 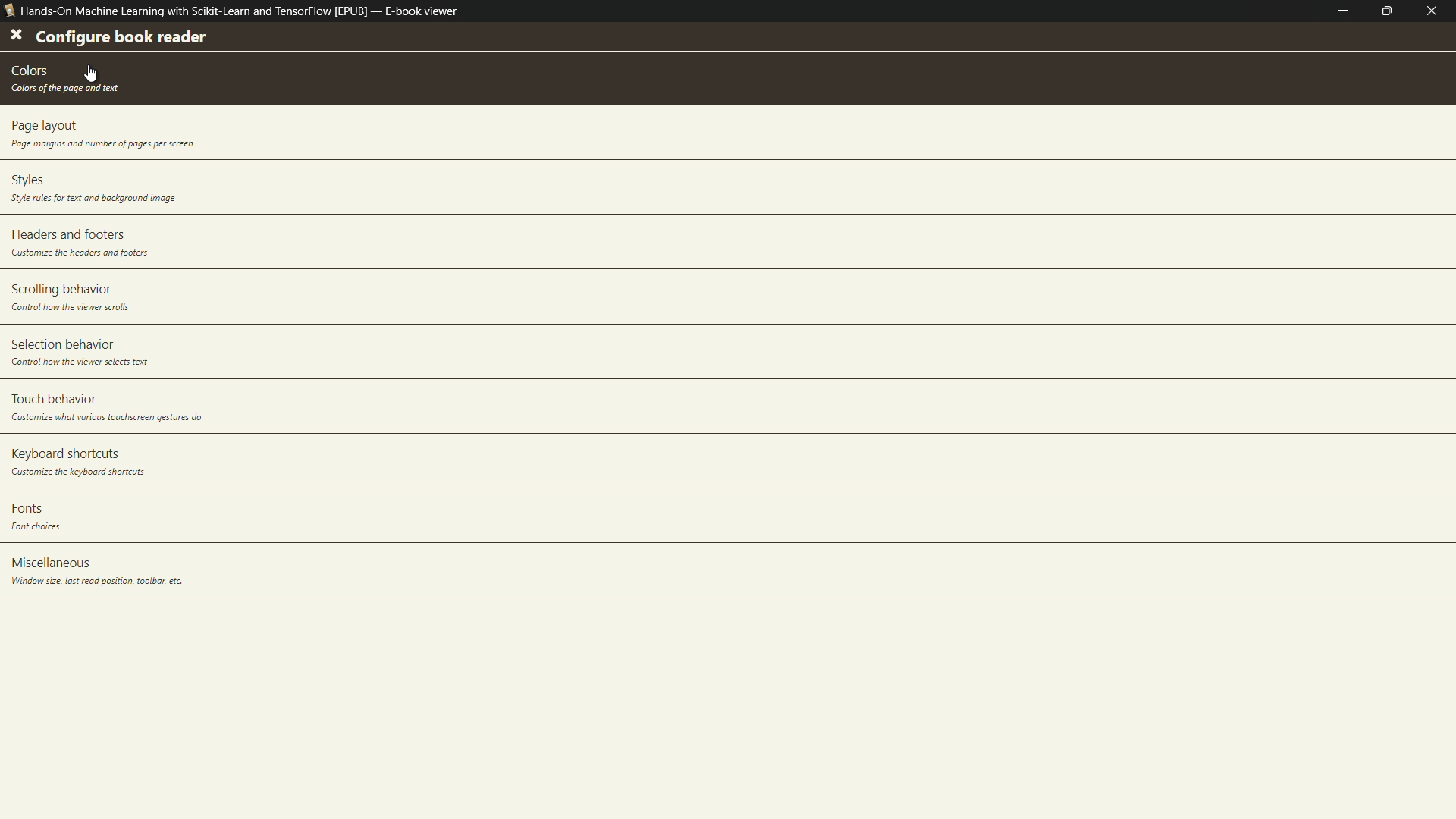 What do you see at coordinates (28, 180) in the screenshot?
I see `styles` at bounding box center [28, 180].